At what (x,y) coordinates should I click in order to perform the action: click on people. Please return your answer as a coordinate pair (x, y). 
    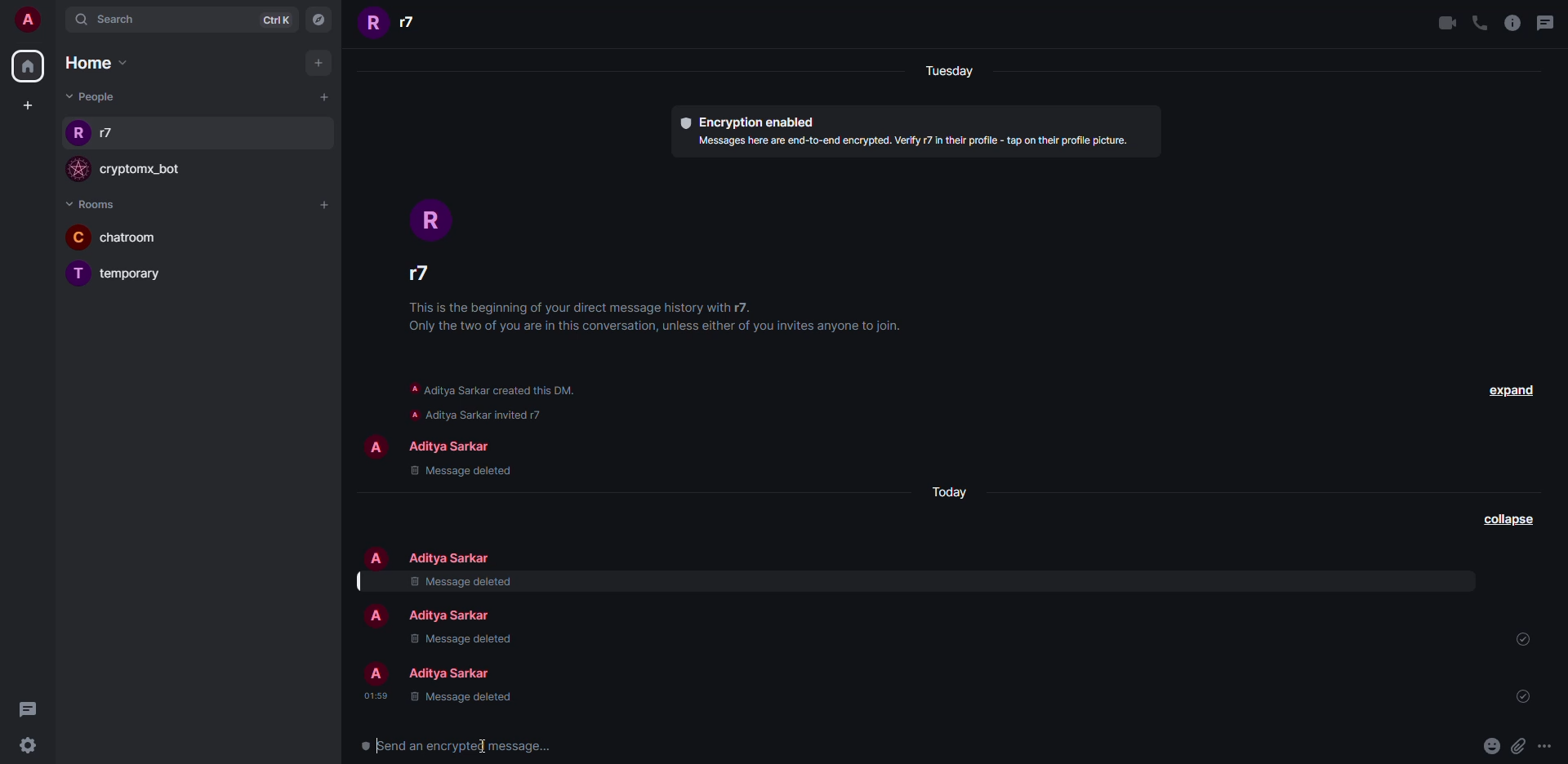
    Looking at the image, I should click on (450, 445).